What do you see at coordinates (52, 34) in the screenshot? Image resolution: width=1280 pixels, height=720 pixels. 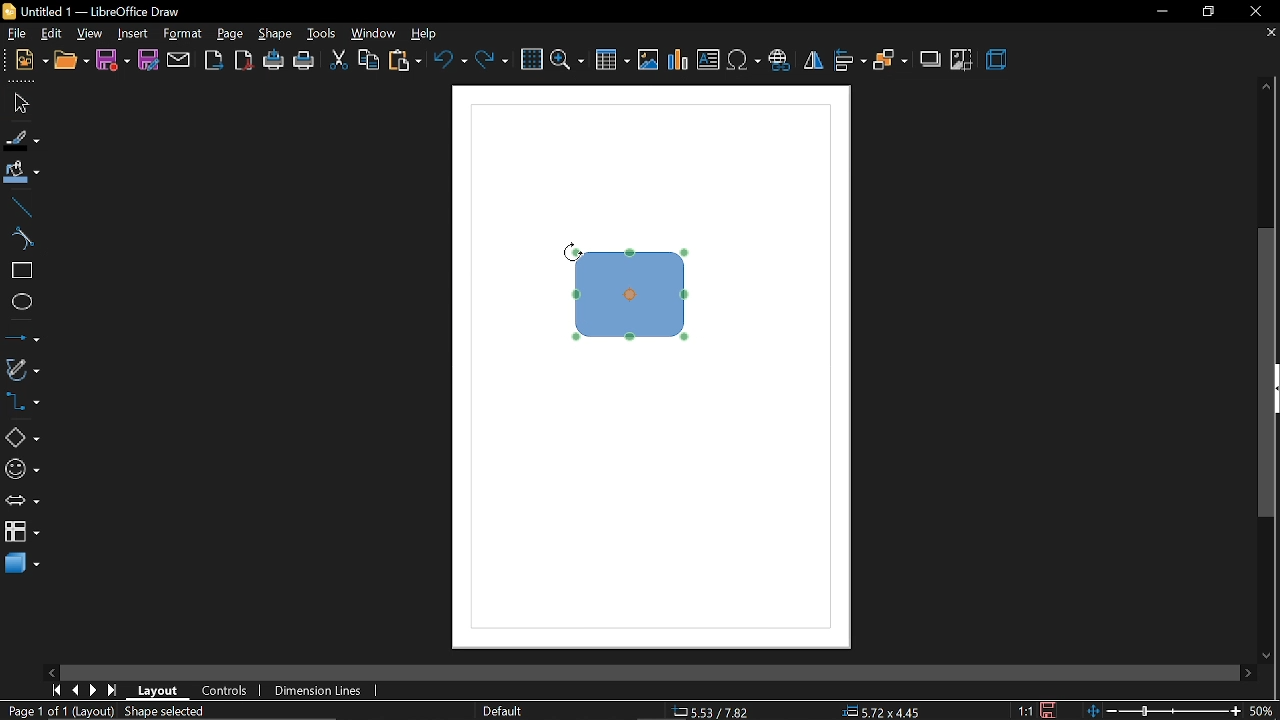 I see `edit` at bounding box center [52, 34].